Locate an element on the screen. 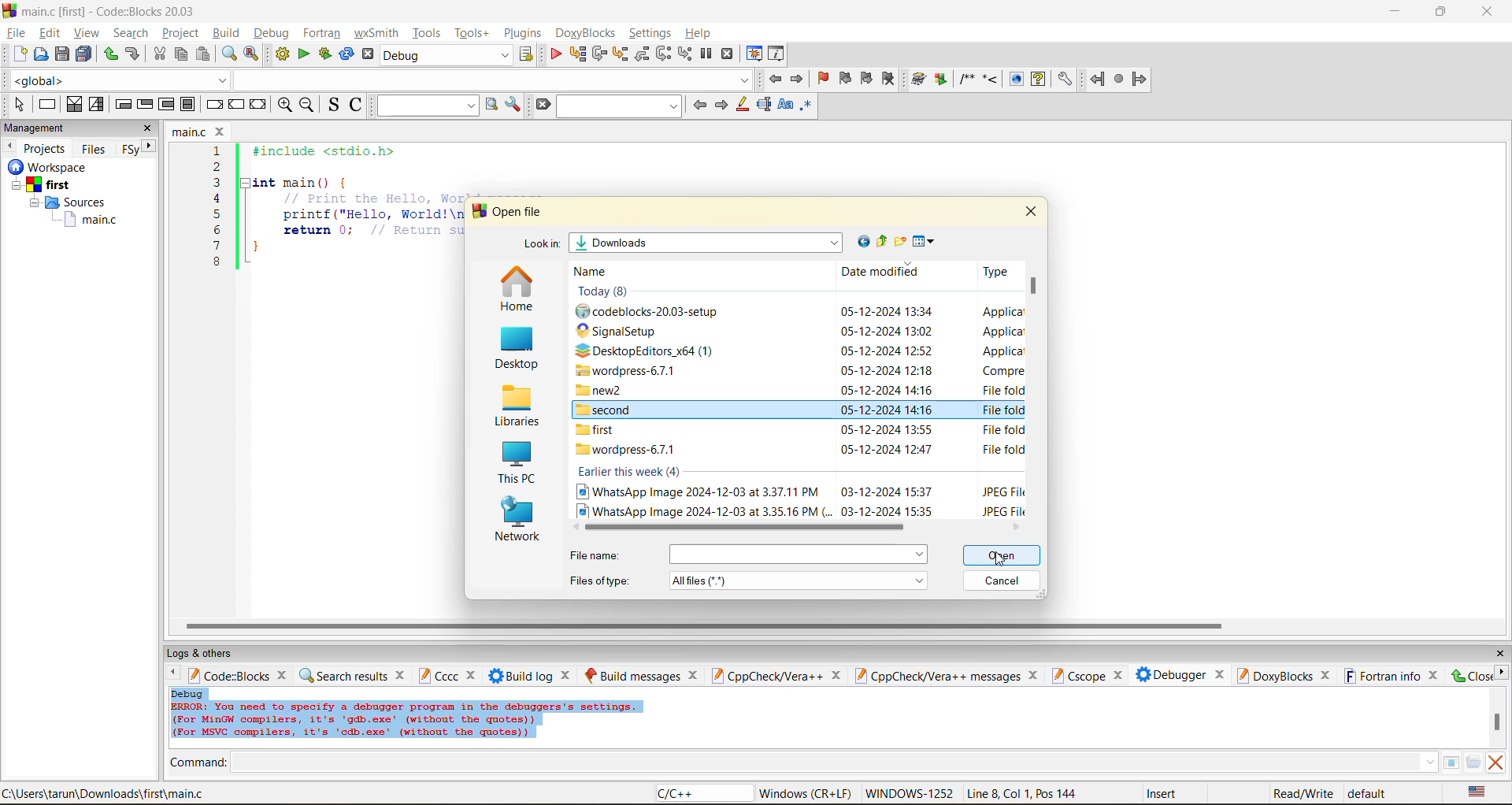 The height and width of the screenshot is (805, 1512). global is located at coordinates (117, 80).